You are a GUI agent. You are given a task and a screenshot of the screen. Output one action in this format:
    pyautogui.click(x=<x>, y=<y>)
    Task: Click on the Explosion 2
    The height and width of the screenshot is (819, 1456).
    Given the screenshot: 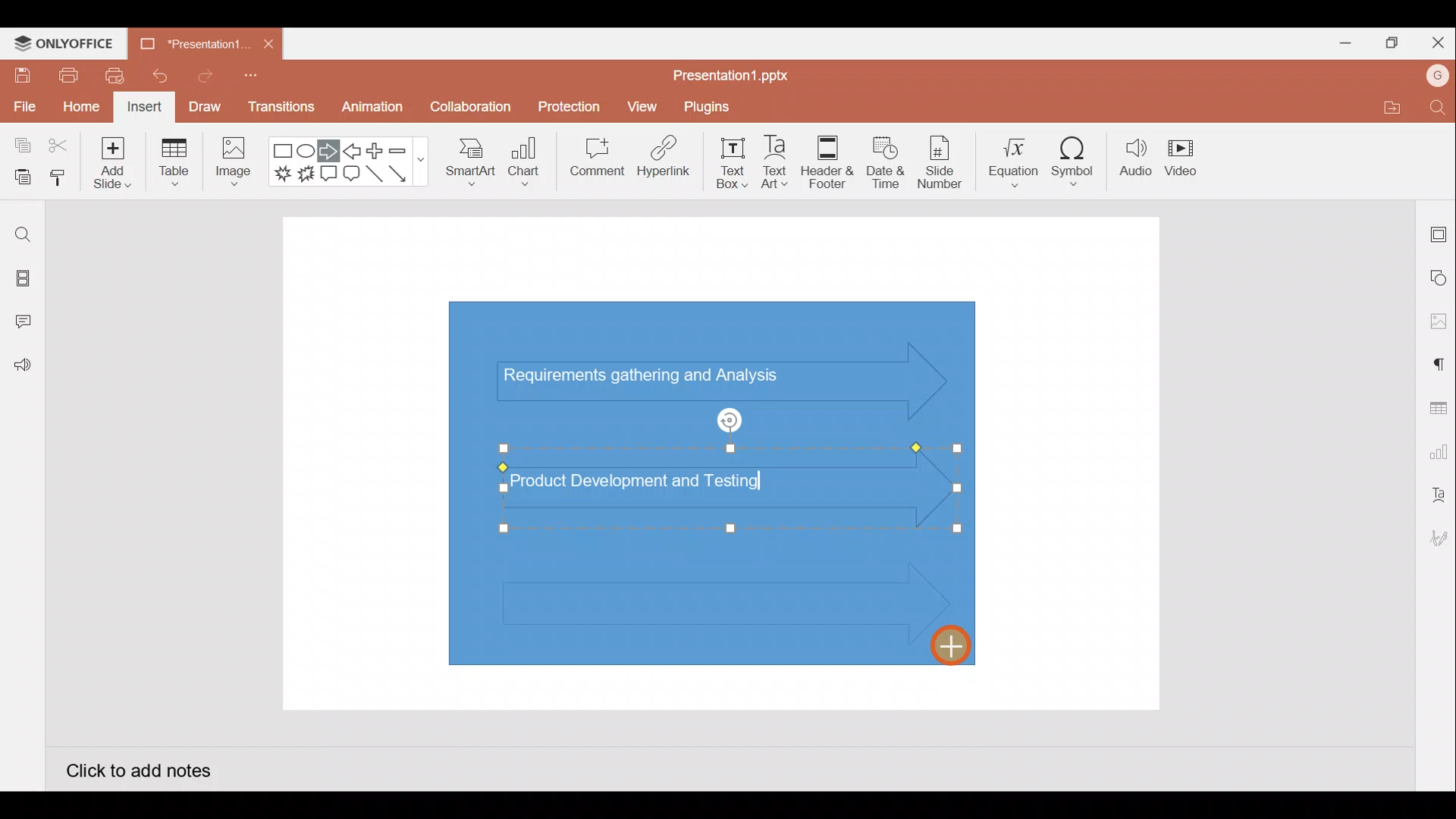 What is the action you would take?
    pyautogui.click(x=306, y=175)
    